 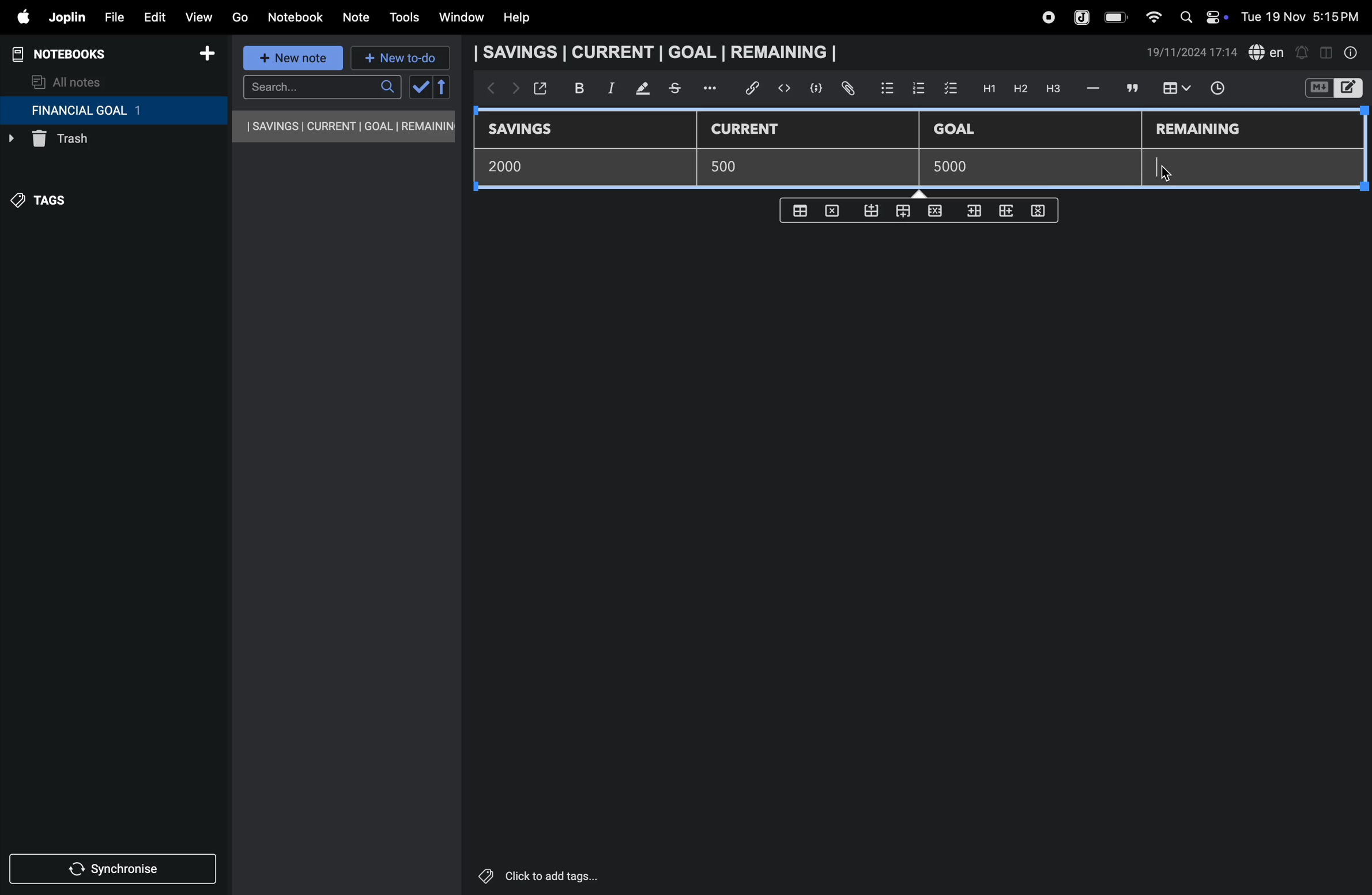 I want to click on help, so click(x=525, y=18).